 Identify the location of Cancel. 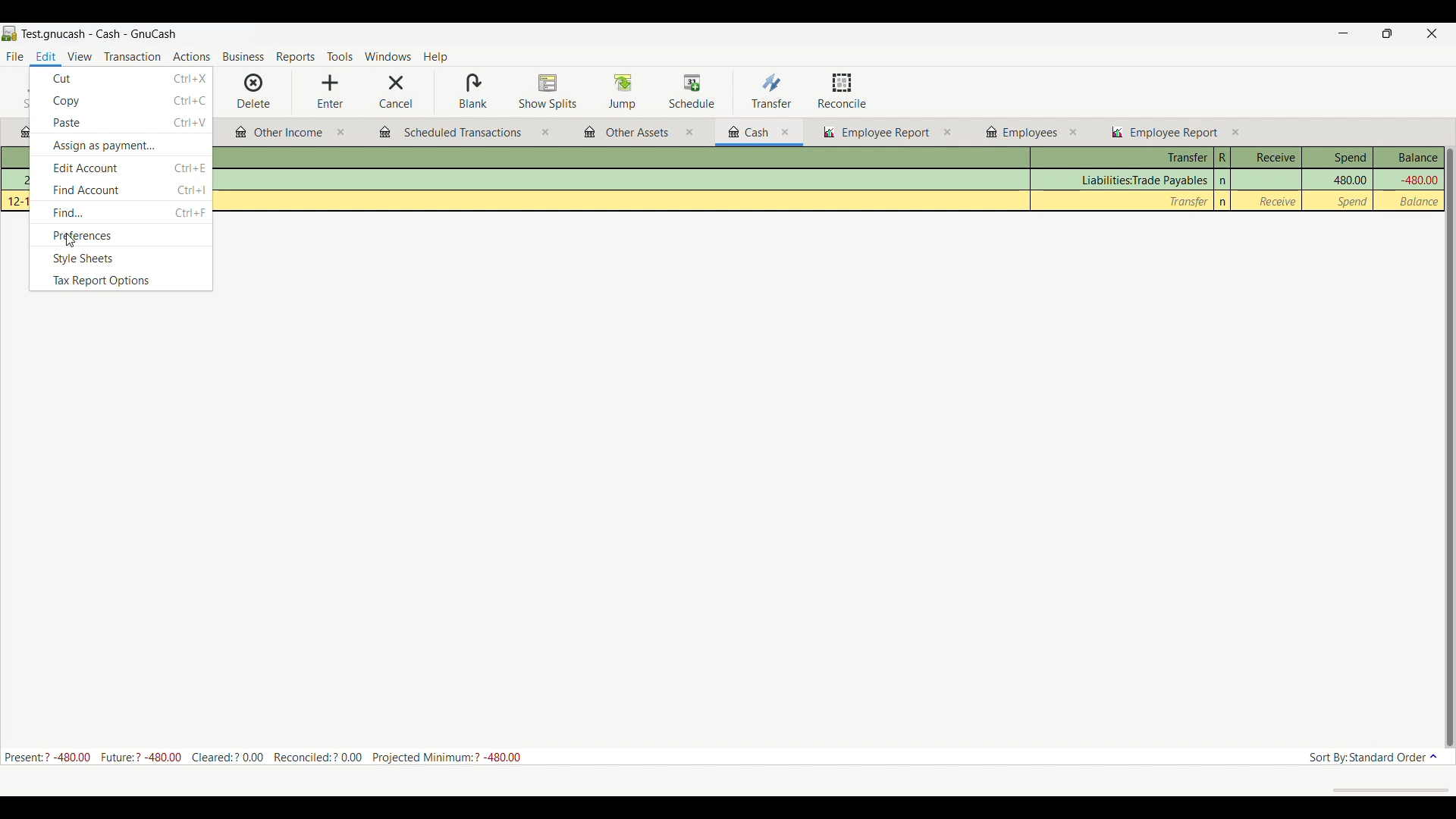
(398, 92).